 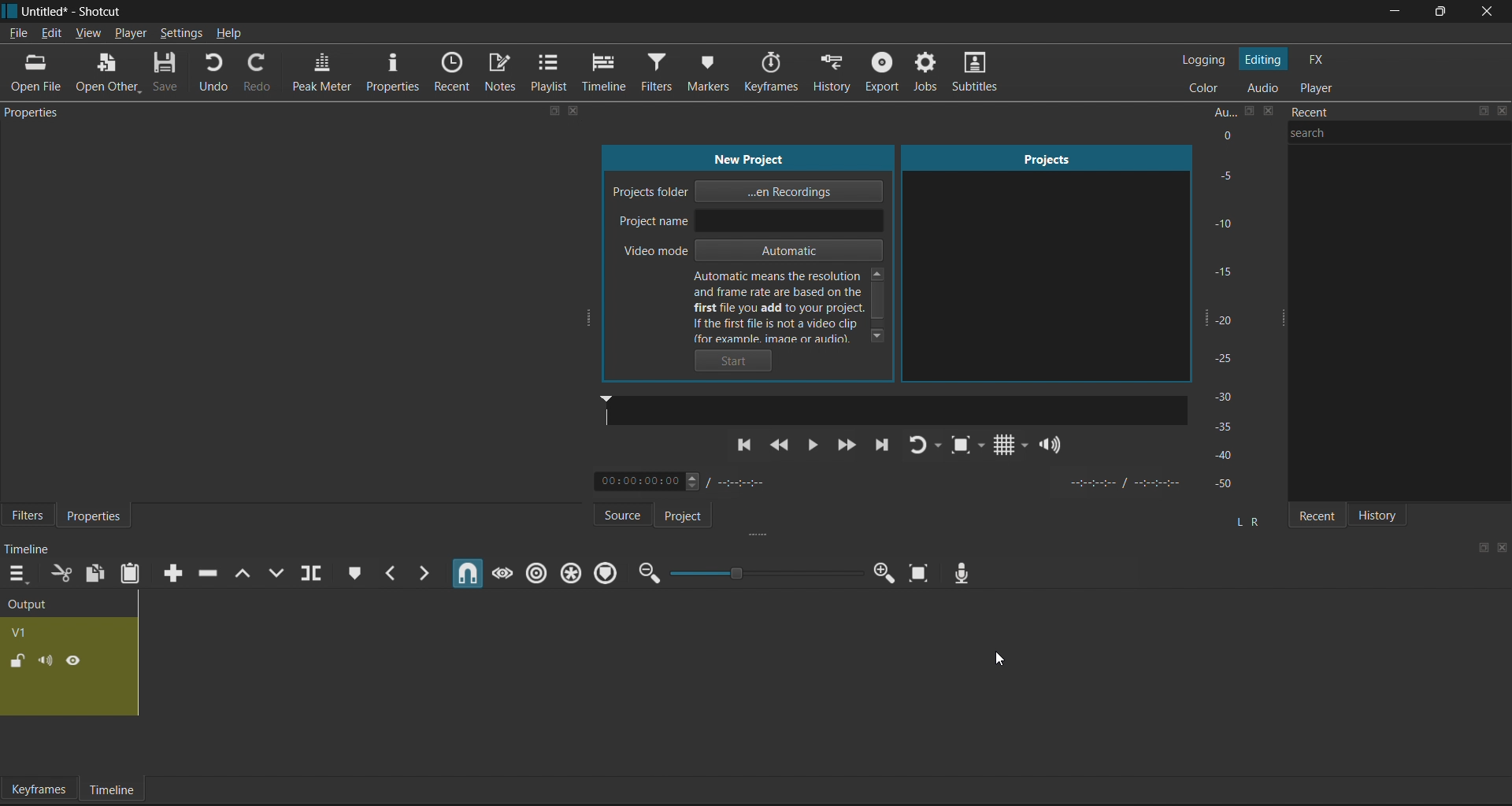 I want to click on Color, so click(x=1207, y=87).